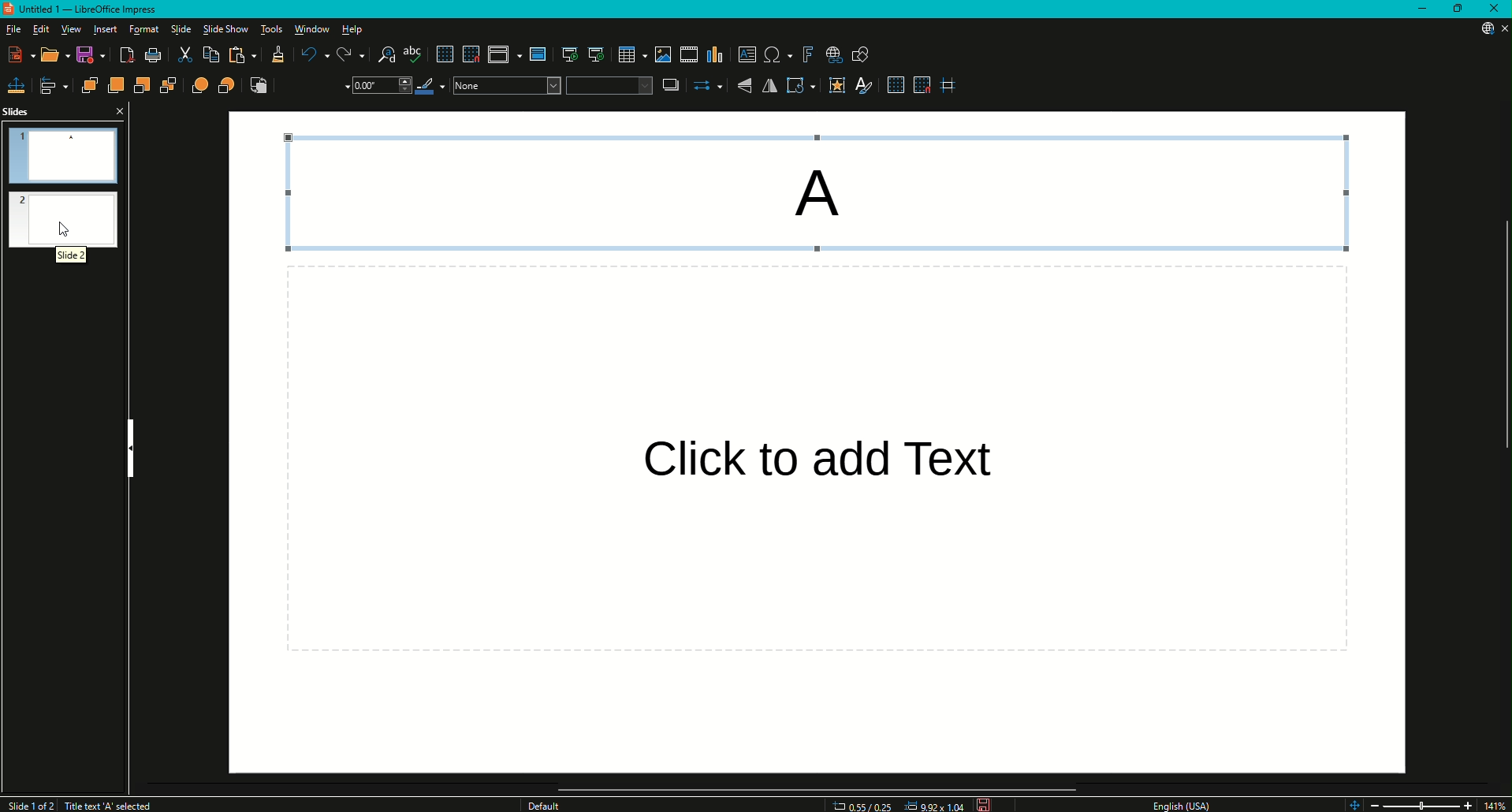  What do you see at coordinates (594, 53) in the screenshot?
I see `Start from Current Slide` at bounding box center [594, 53].